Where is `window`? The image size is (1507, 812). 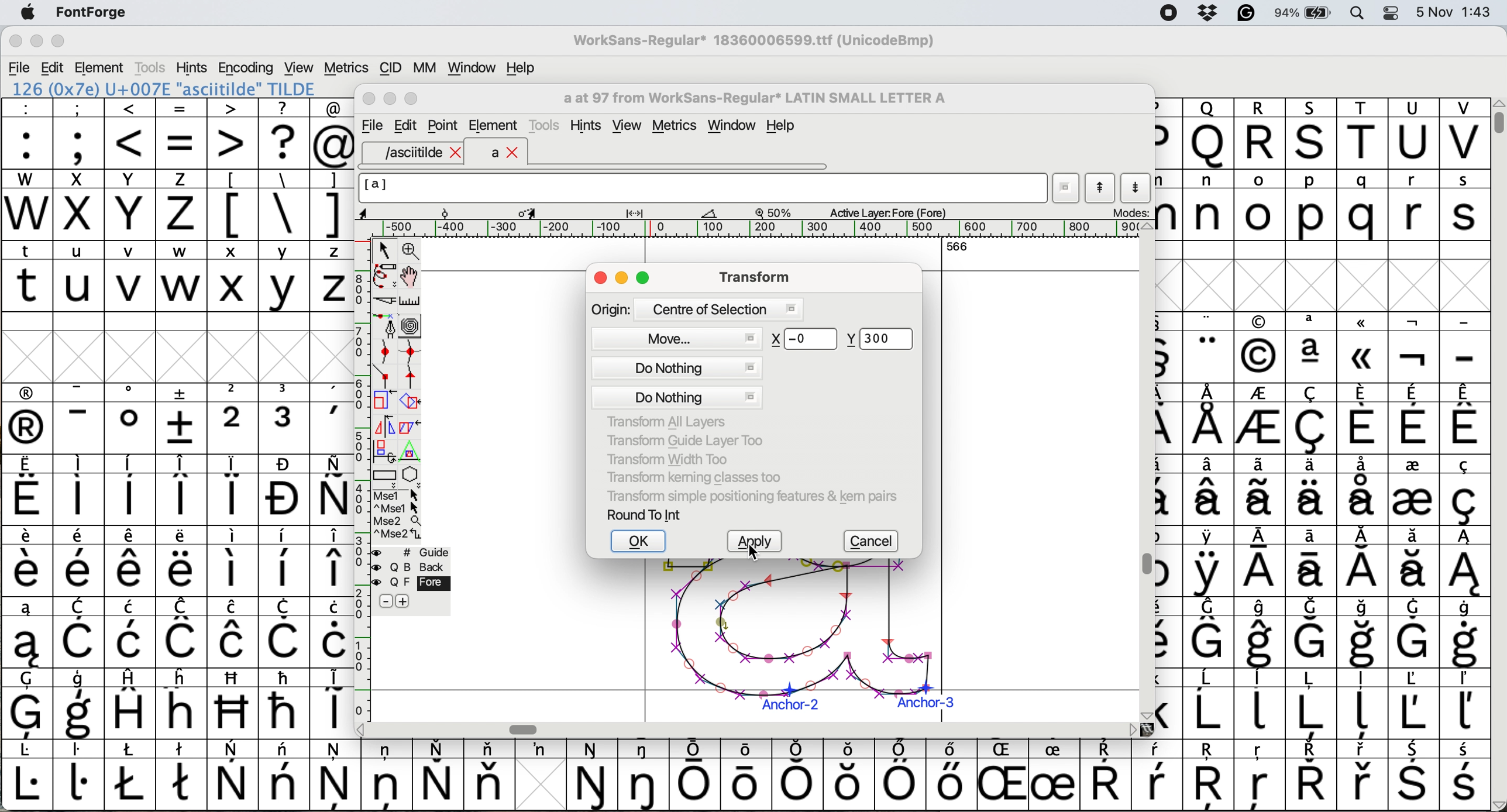
window is located at coordinates (469, 68).